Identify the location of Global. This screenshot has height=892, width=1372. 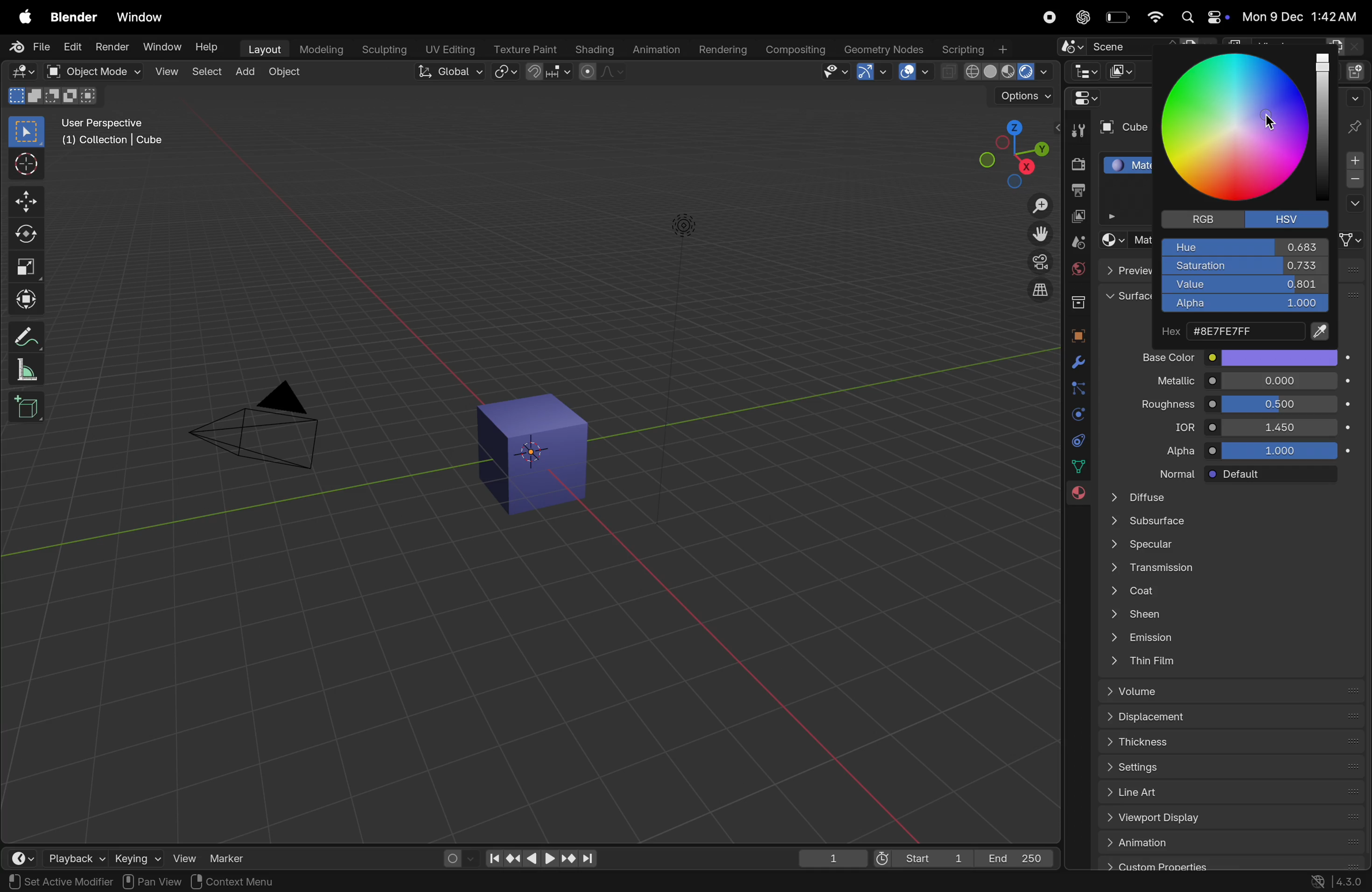
(451, 71).